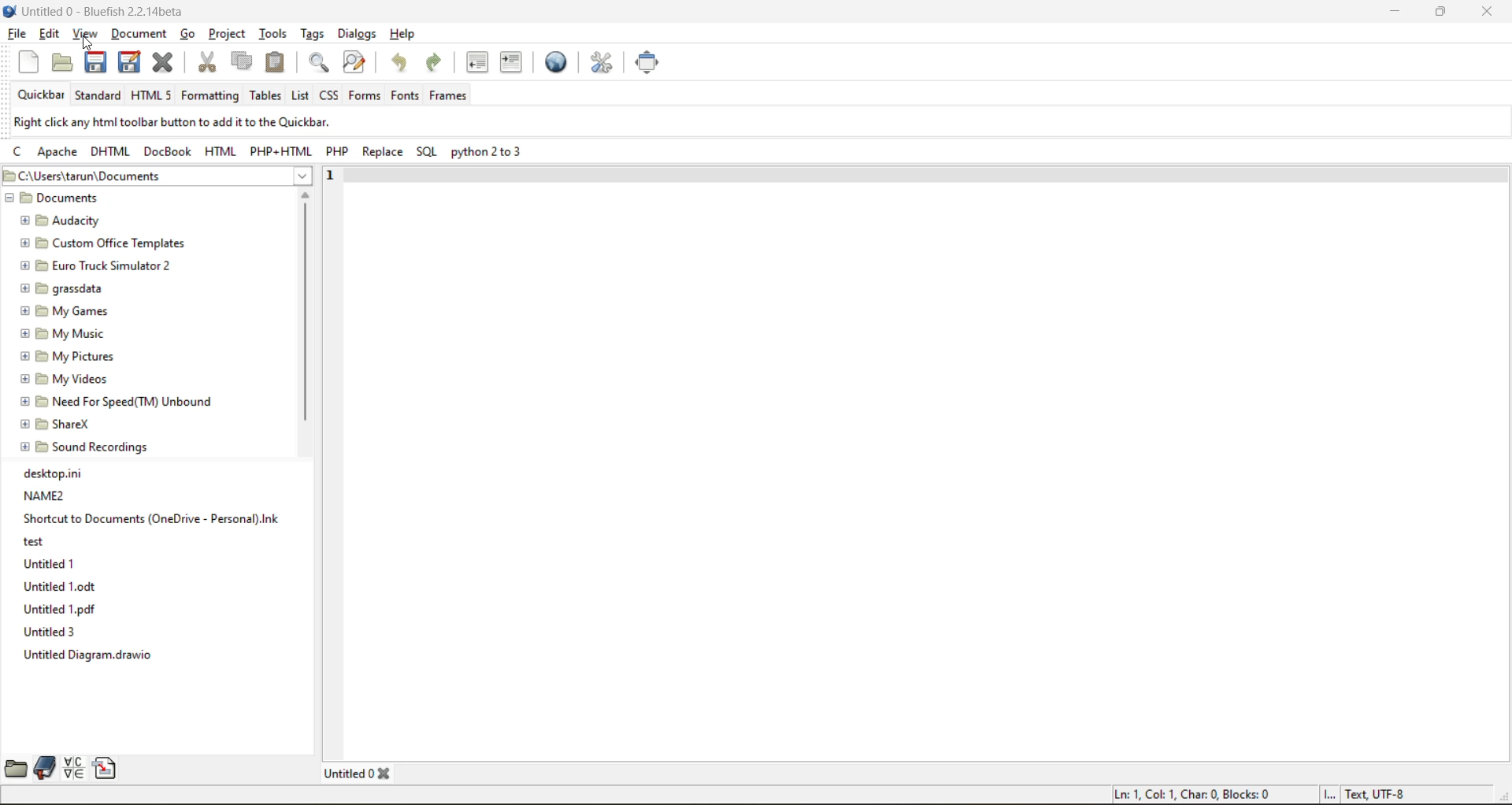 This screenshot has height=805, width=1512. What do you see at coordinates (51, 474) in the screenshot?
I see `desktop.ini` at bounding box center [51, 474].